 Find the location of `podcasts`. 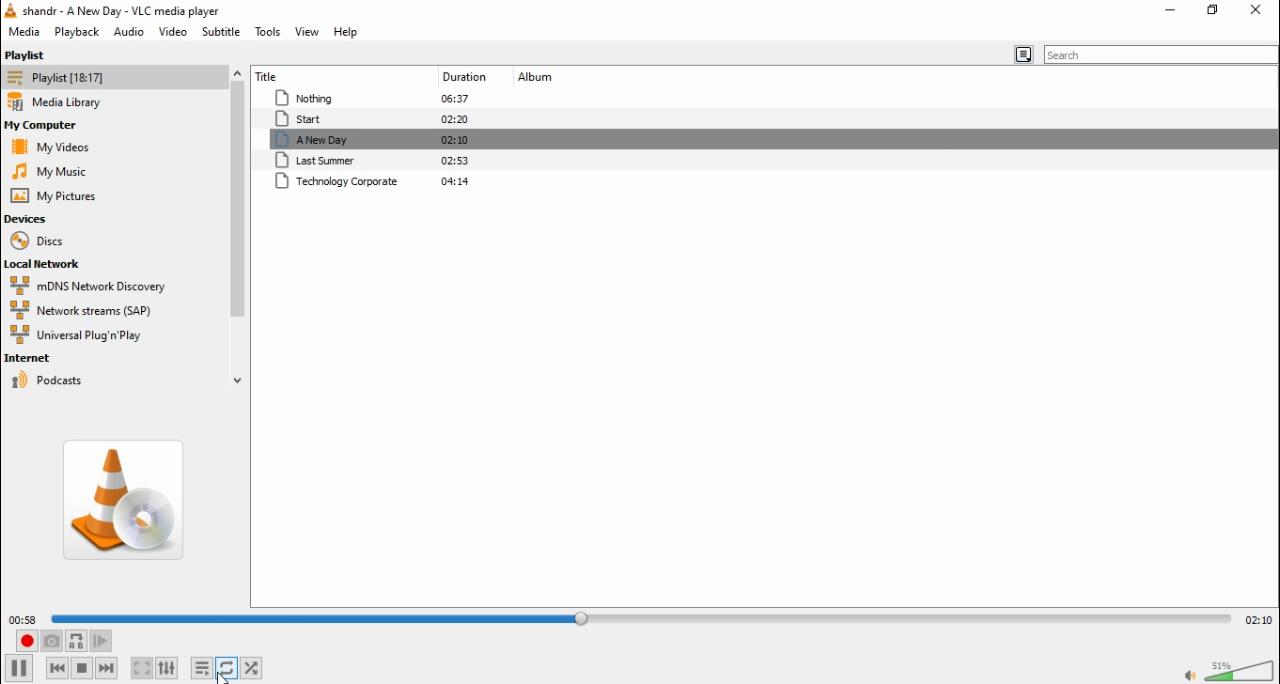

podcasts is located at coordinates (75, 379).